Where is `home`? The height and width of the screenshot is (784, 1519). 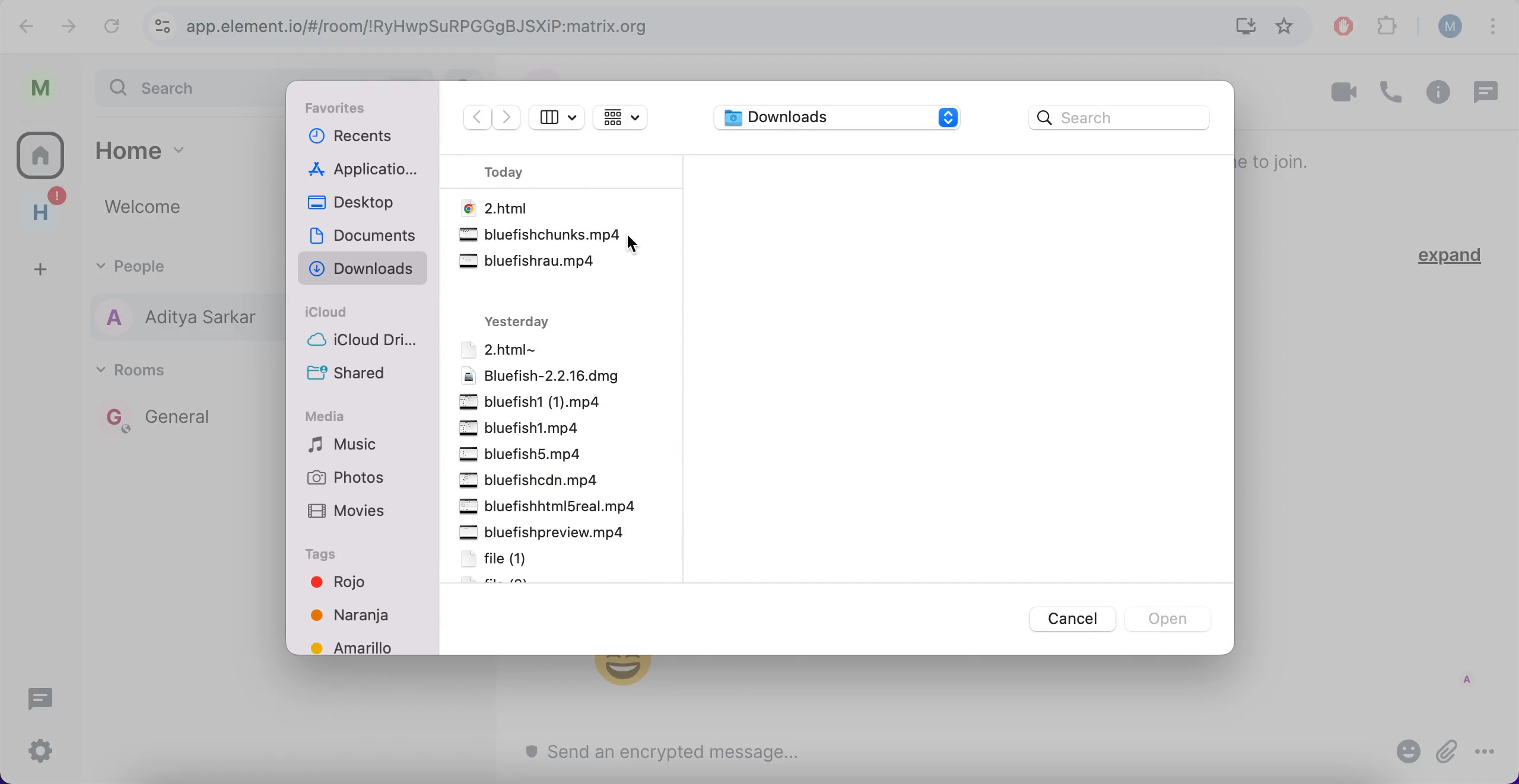 home is located at coordinates (142, 147).